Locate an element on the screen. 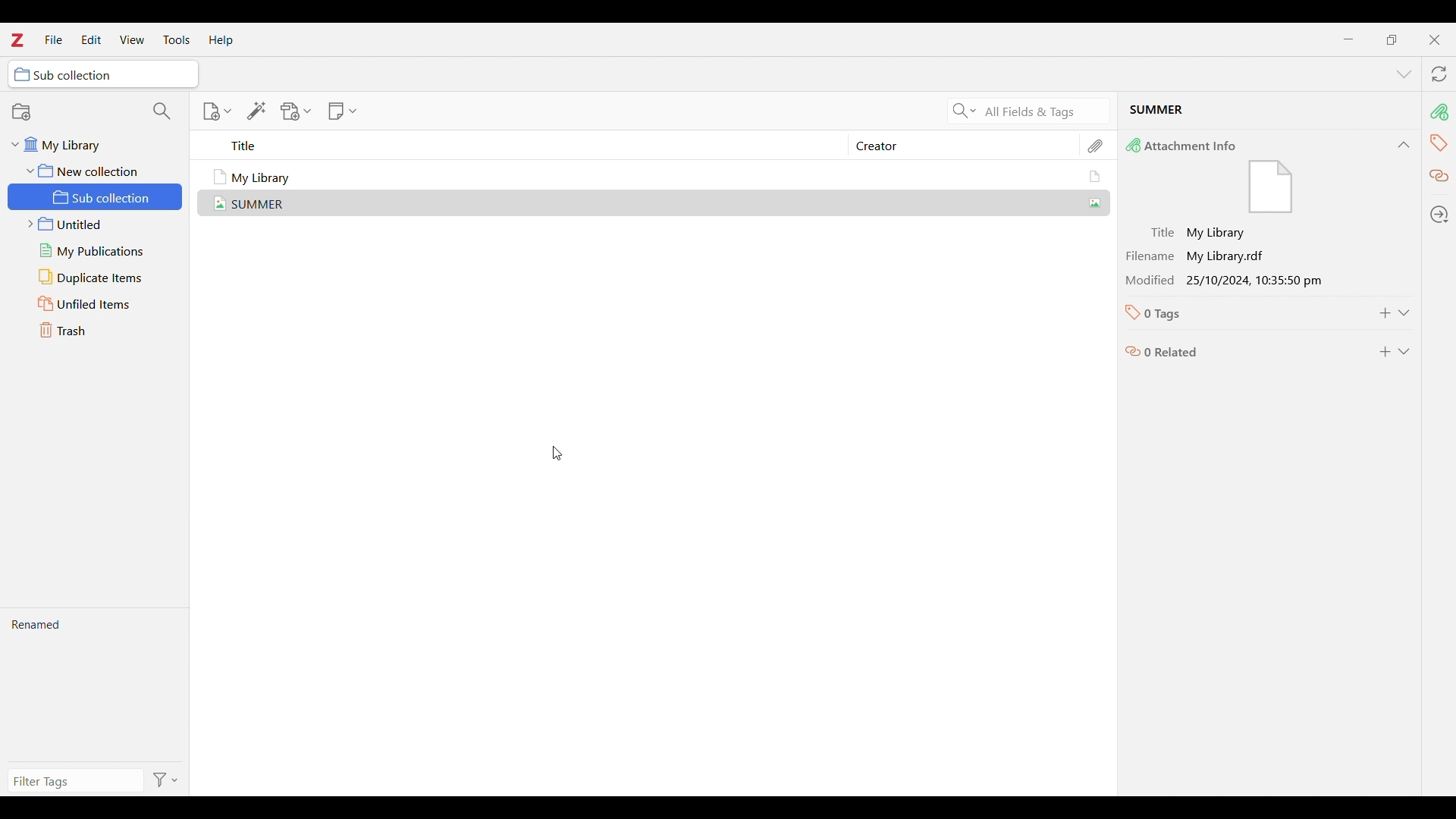 This screenshot has width=1456, height=819. Add item/s by identifier is located at coordinates (257, 111).